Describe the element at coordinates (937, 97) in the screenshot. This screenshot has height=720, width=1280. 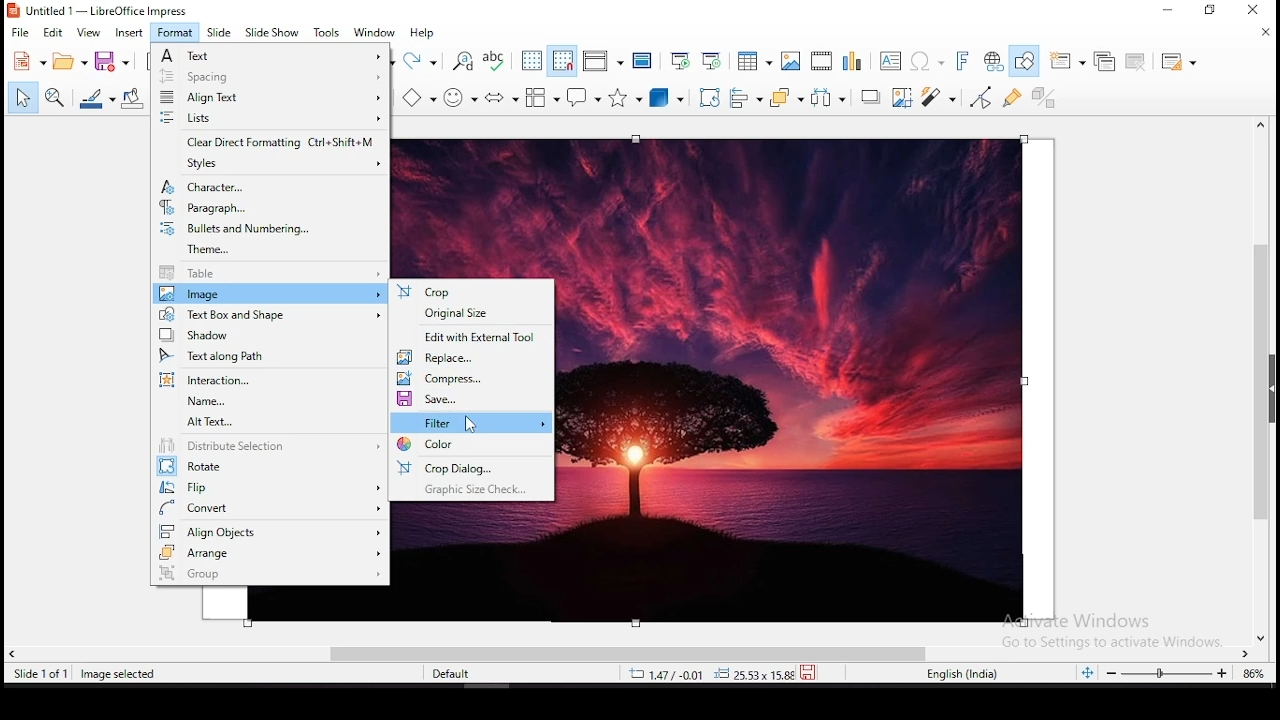
I see `filter` at that location.